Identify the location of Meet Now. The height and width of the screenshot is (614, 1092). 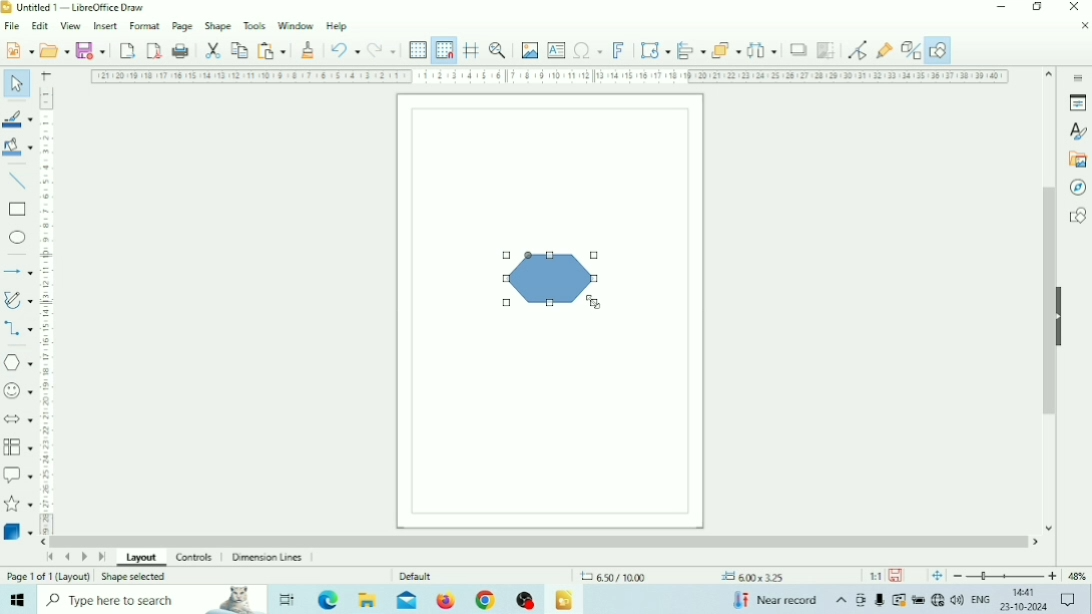
(862, 600).